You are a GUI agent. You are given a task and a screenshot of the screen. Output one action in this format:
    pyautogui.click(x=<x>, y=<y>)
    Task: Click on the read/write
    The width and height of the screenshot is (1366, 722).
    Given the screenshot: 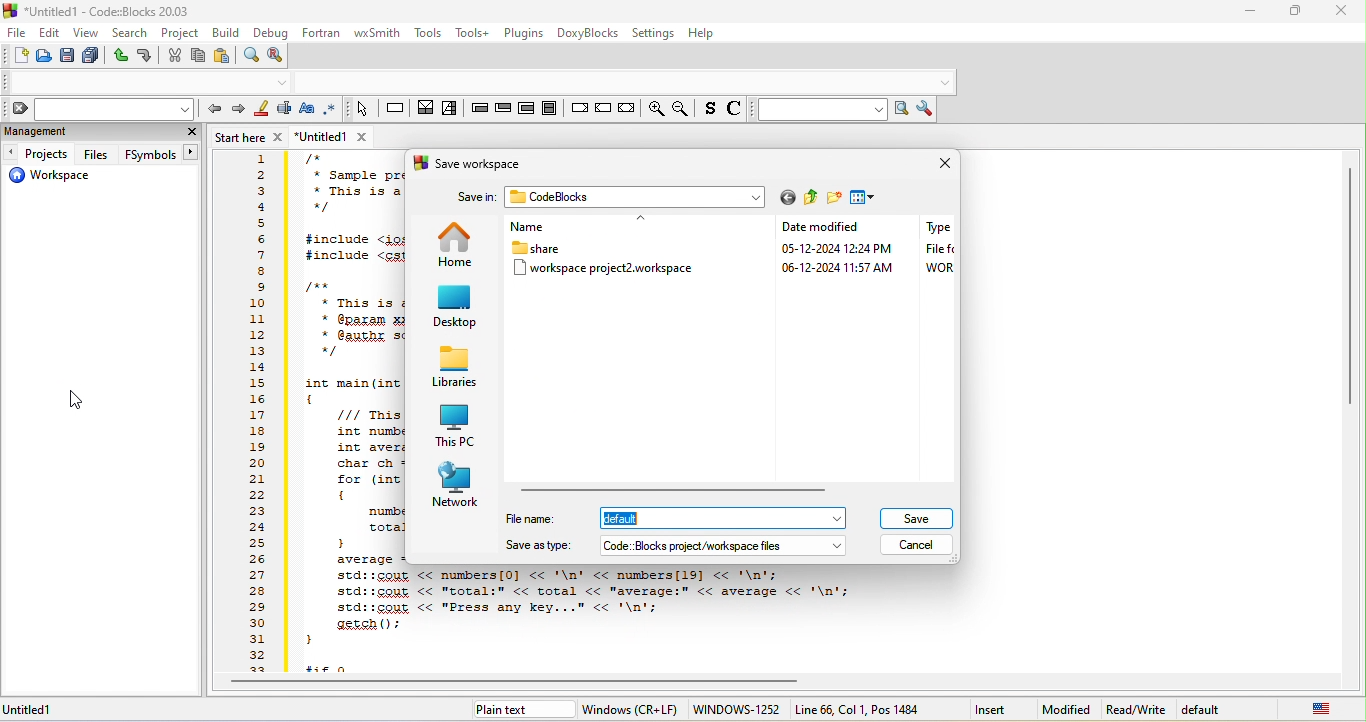 What is the action you would take?
    pyautogui.click(x=1136, y=710)
    